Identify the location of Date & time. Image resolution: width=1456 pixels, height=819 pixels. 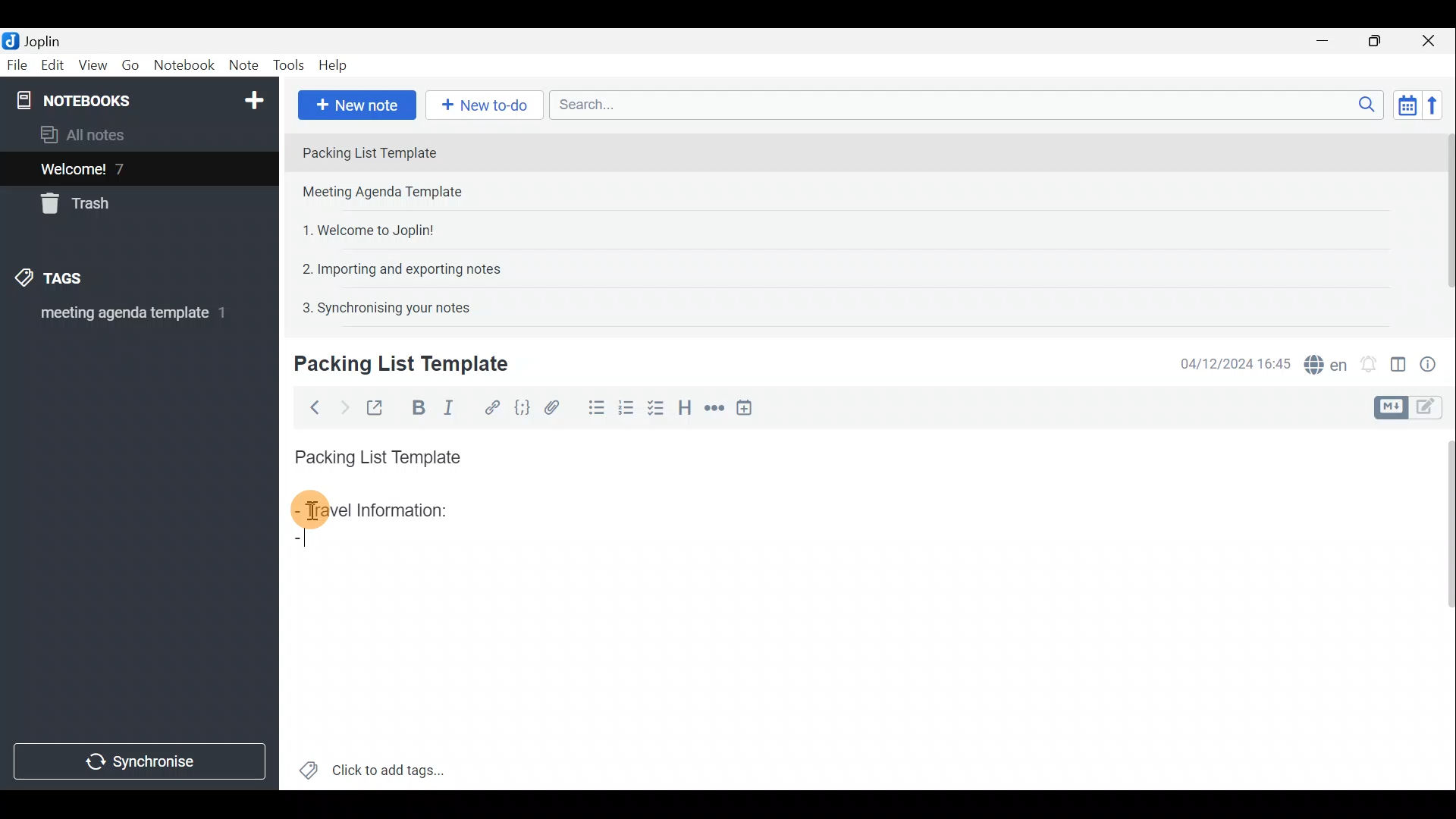
(1235, 362).